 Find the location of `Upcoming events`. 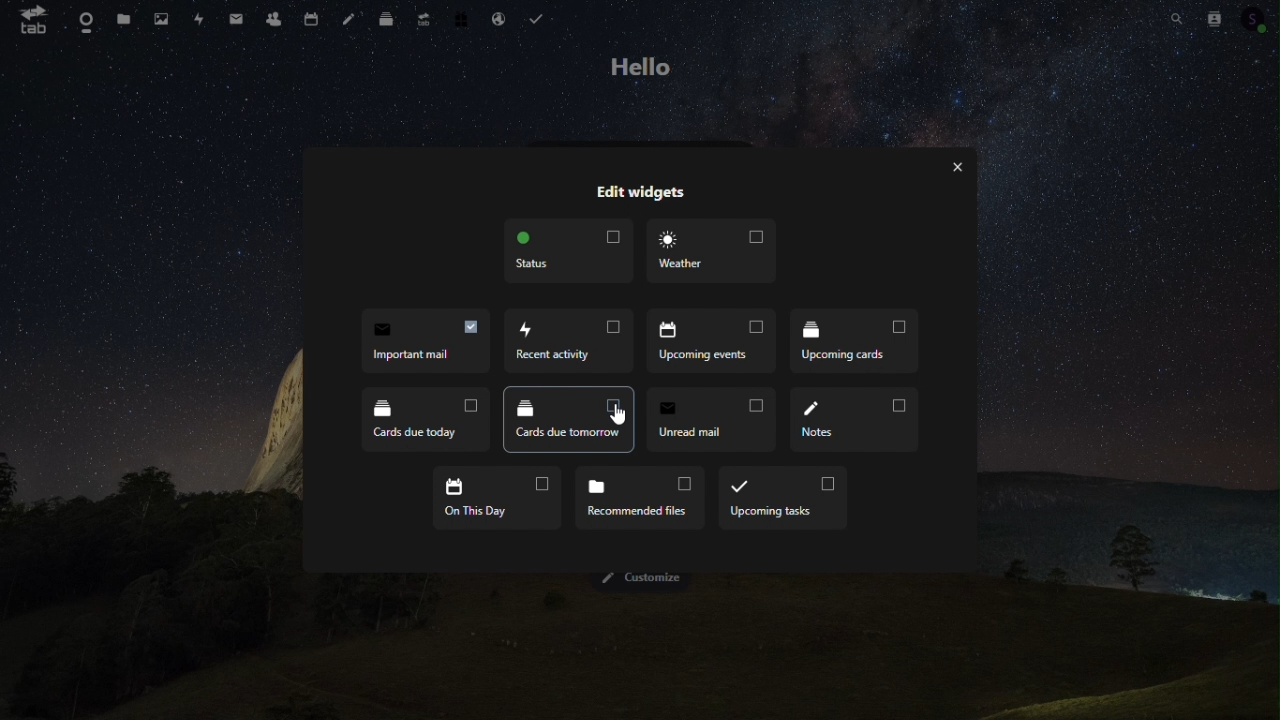

Upcoming events is located at coordinates (717, 344).